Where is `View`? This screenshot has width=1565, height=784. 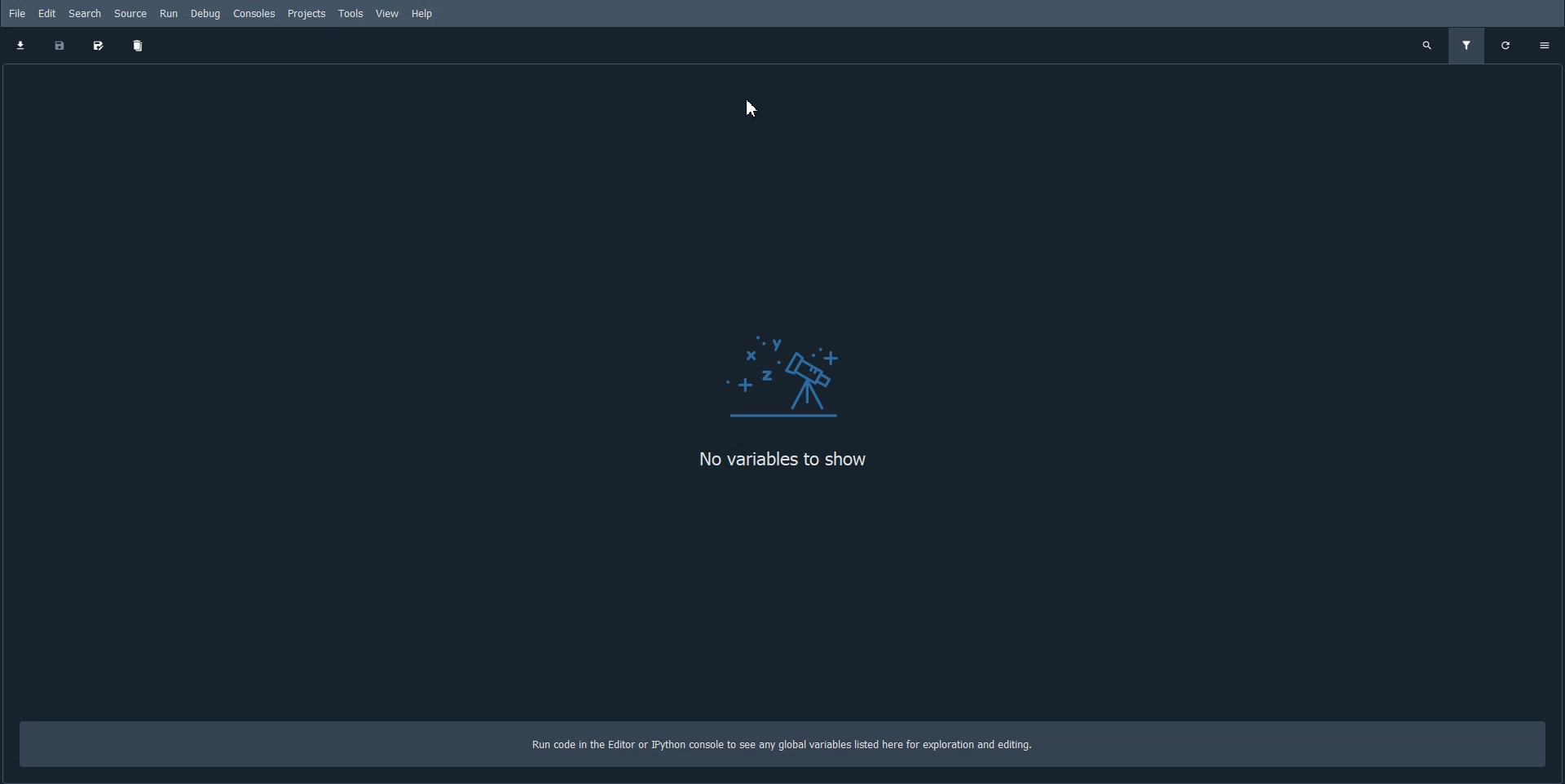
View is located at coordinates (388, 14).